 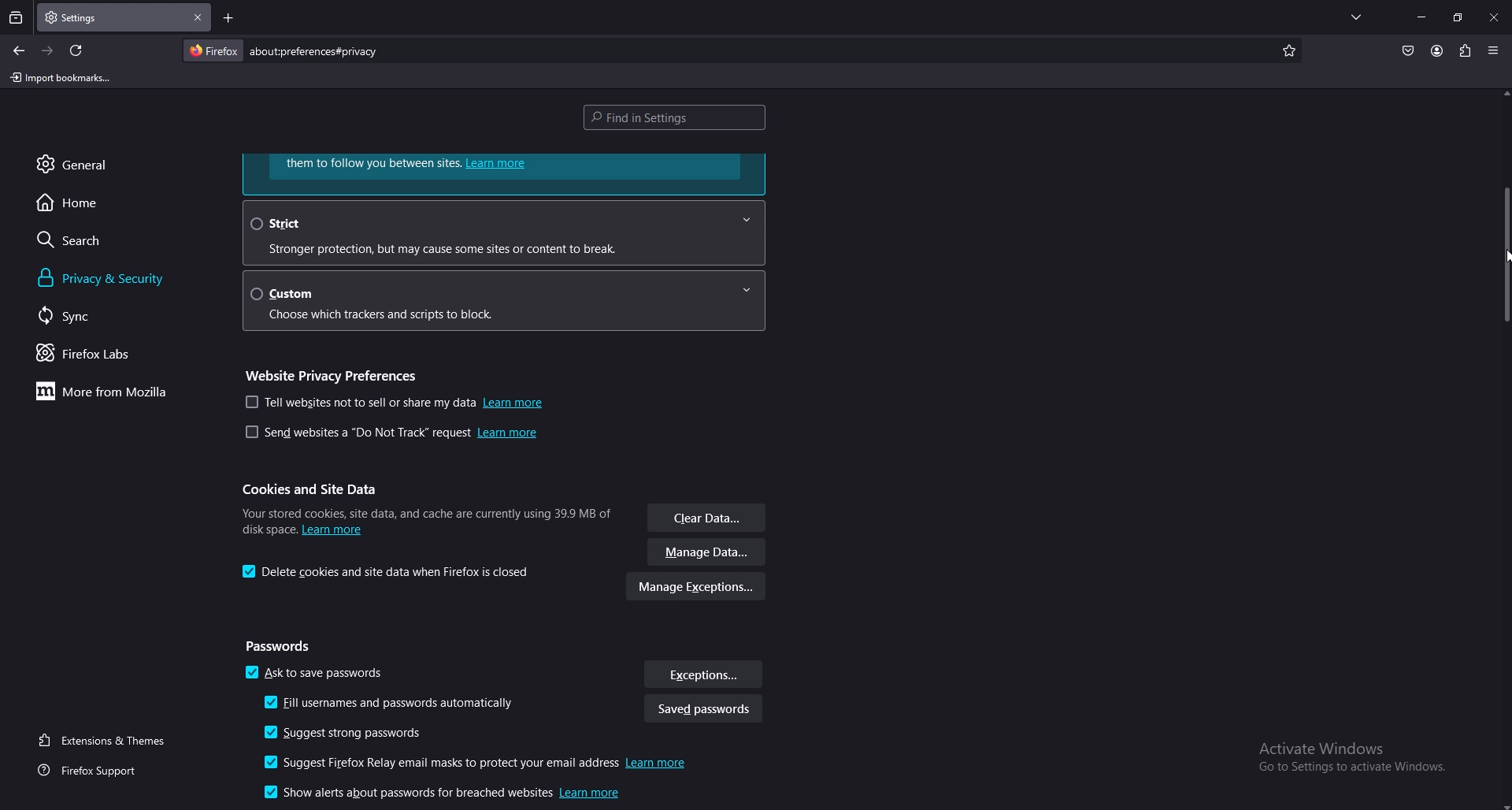 I want to click on close, so click(x=1494, y=19).